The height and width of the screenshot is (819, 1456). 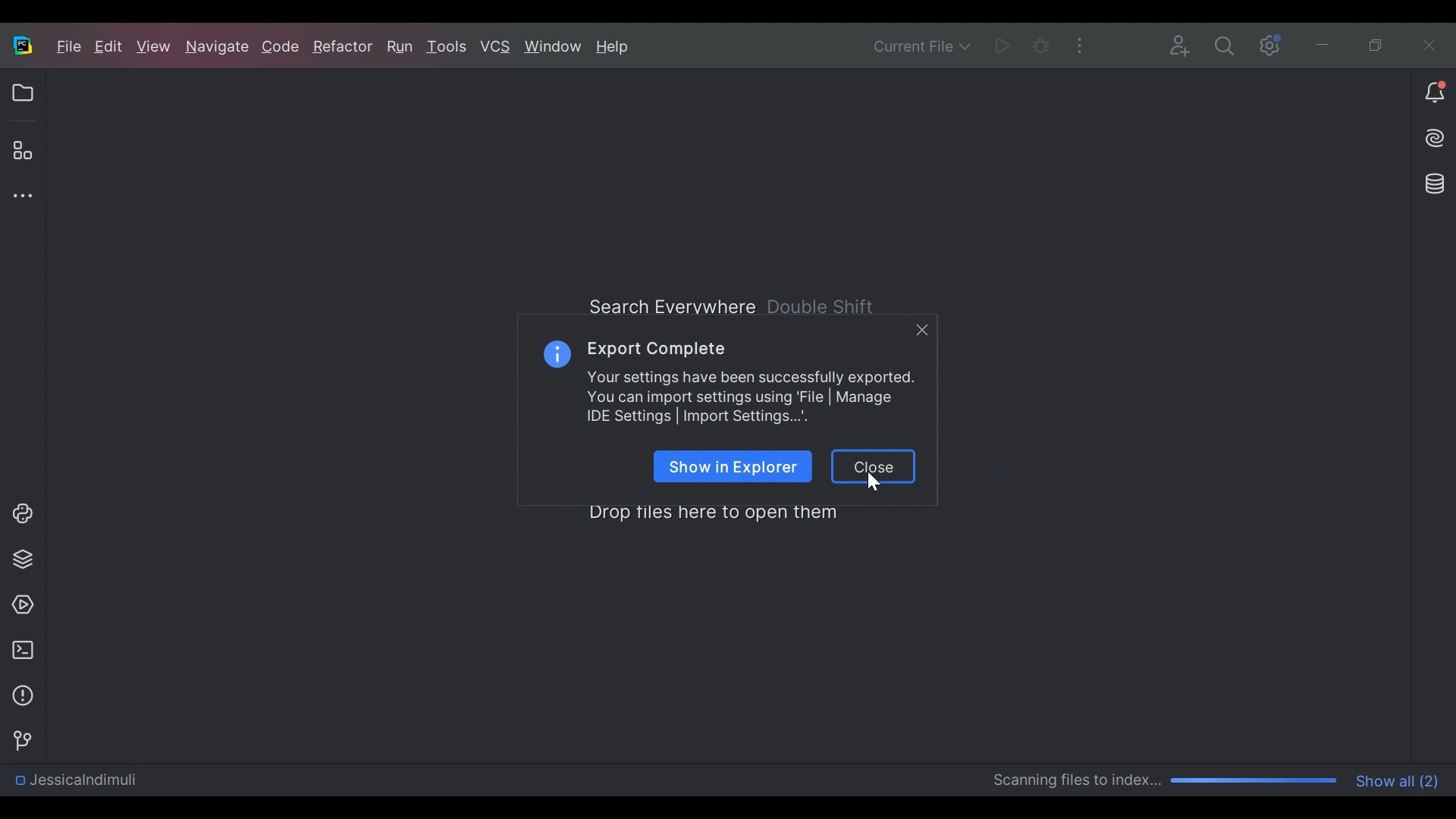 I want to click on Tools, so click(x=450, y=48).